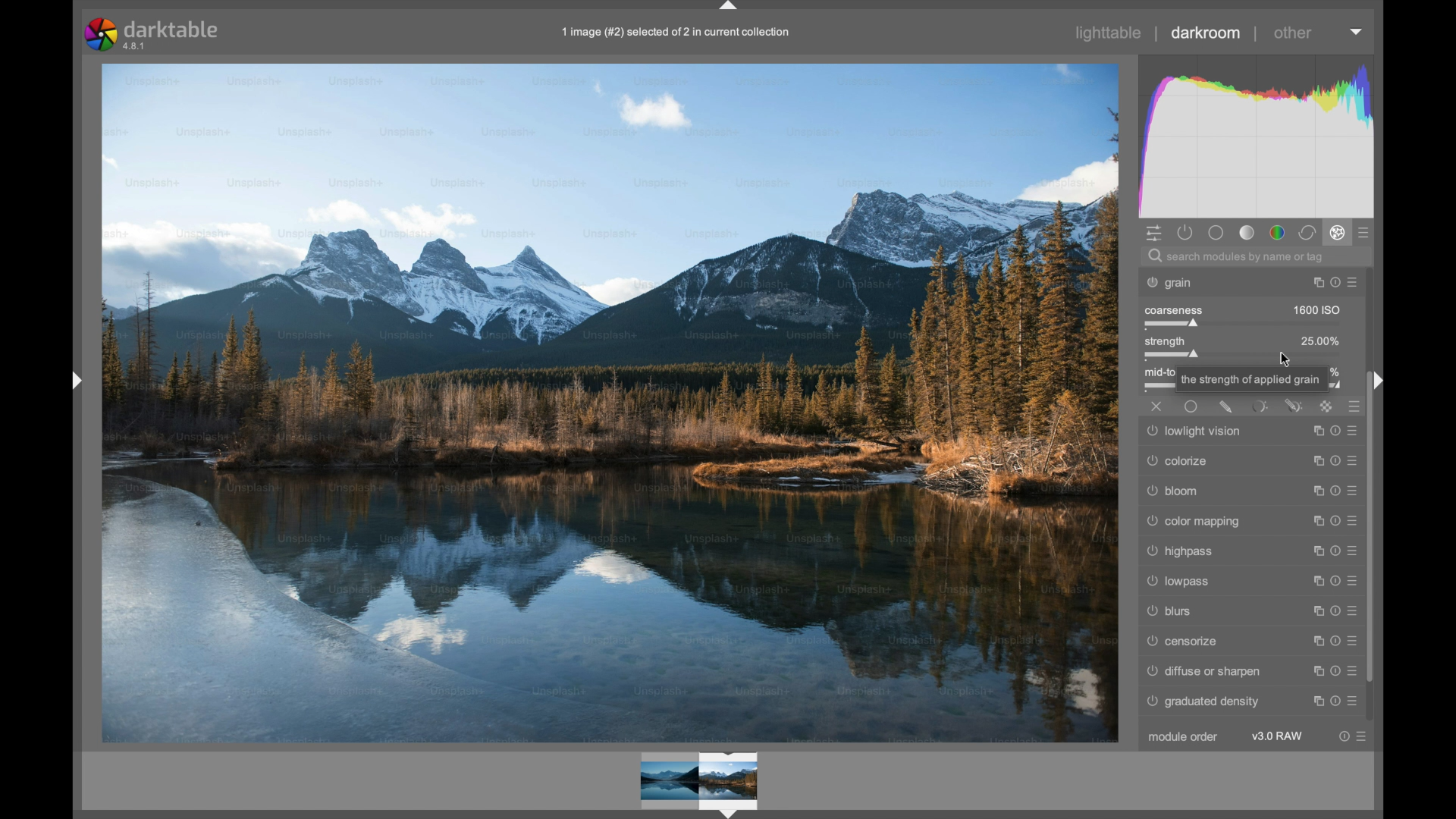  What do you see at coordinates (1355, 406) in the screenshot?
I see `presets` at bounding box center [1355, 406].